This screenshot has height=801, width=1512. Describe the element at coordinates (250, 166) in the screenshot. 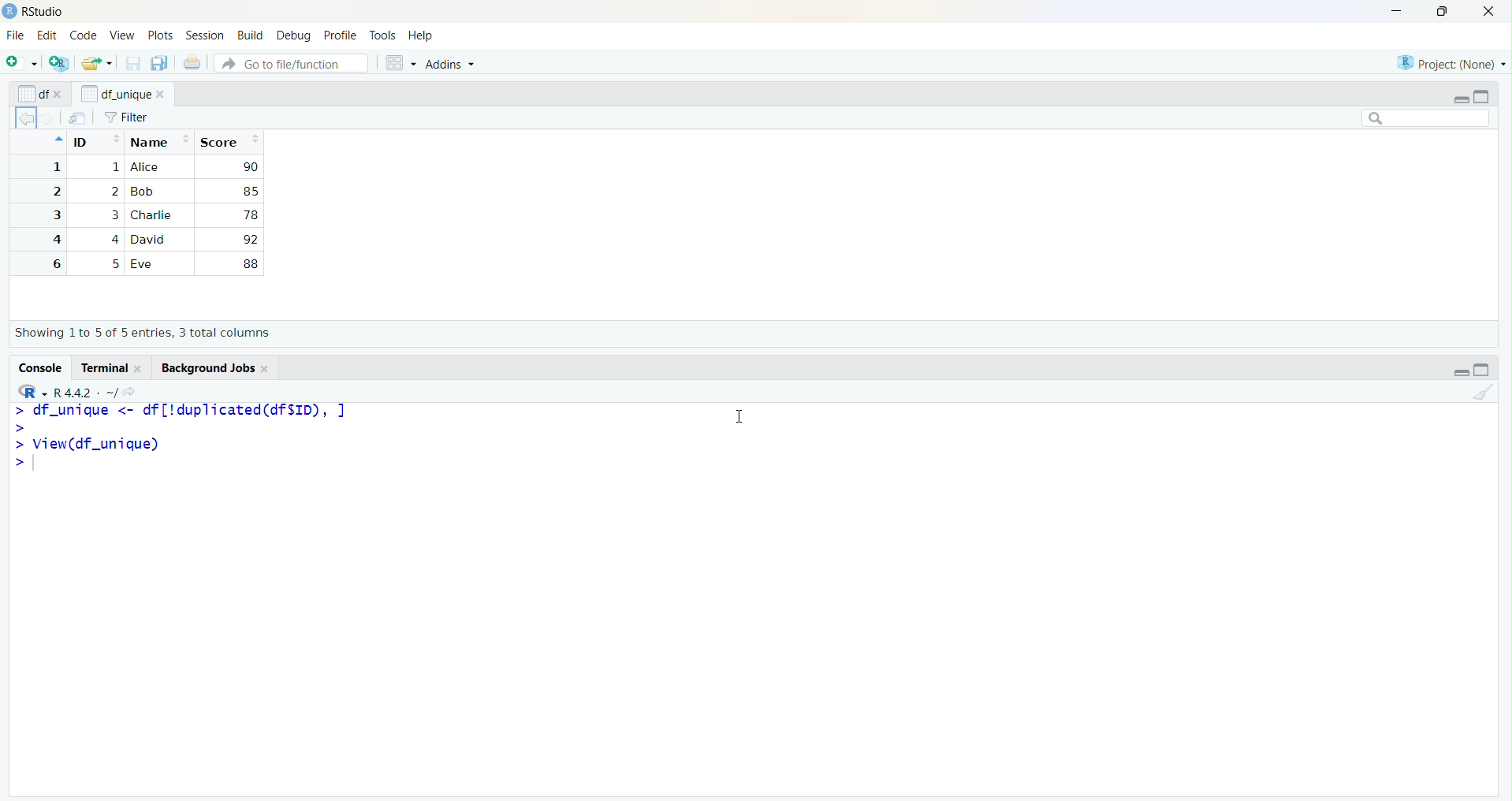

I see `90` at that location.